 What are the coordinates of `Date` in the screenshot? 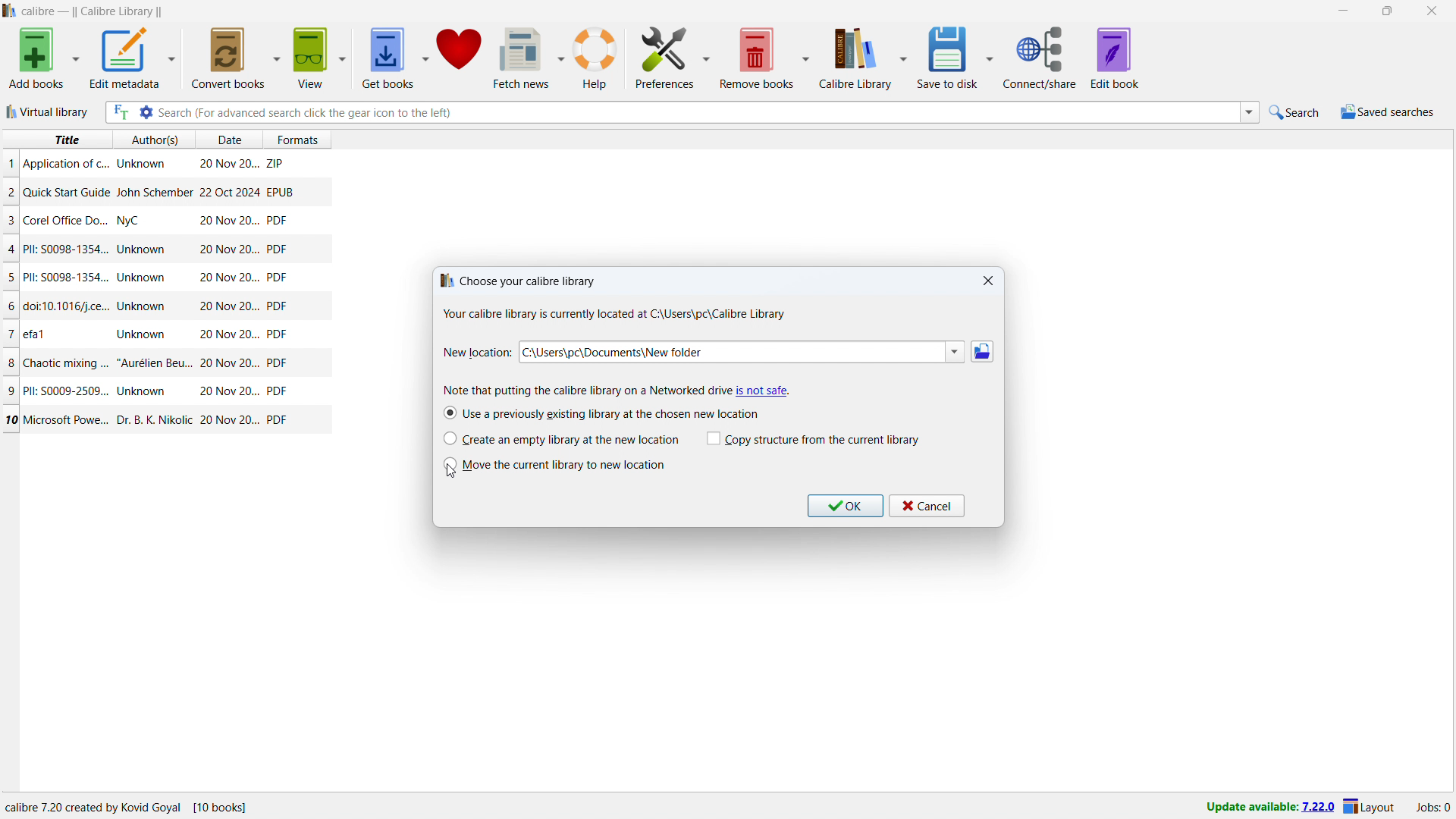 It's located at (227, 192).